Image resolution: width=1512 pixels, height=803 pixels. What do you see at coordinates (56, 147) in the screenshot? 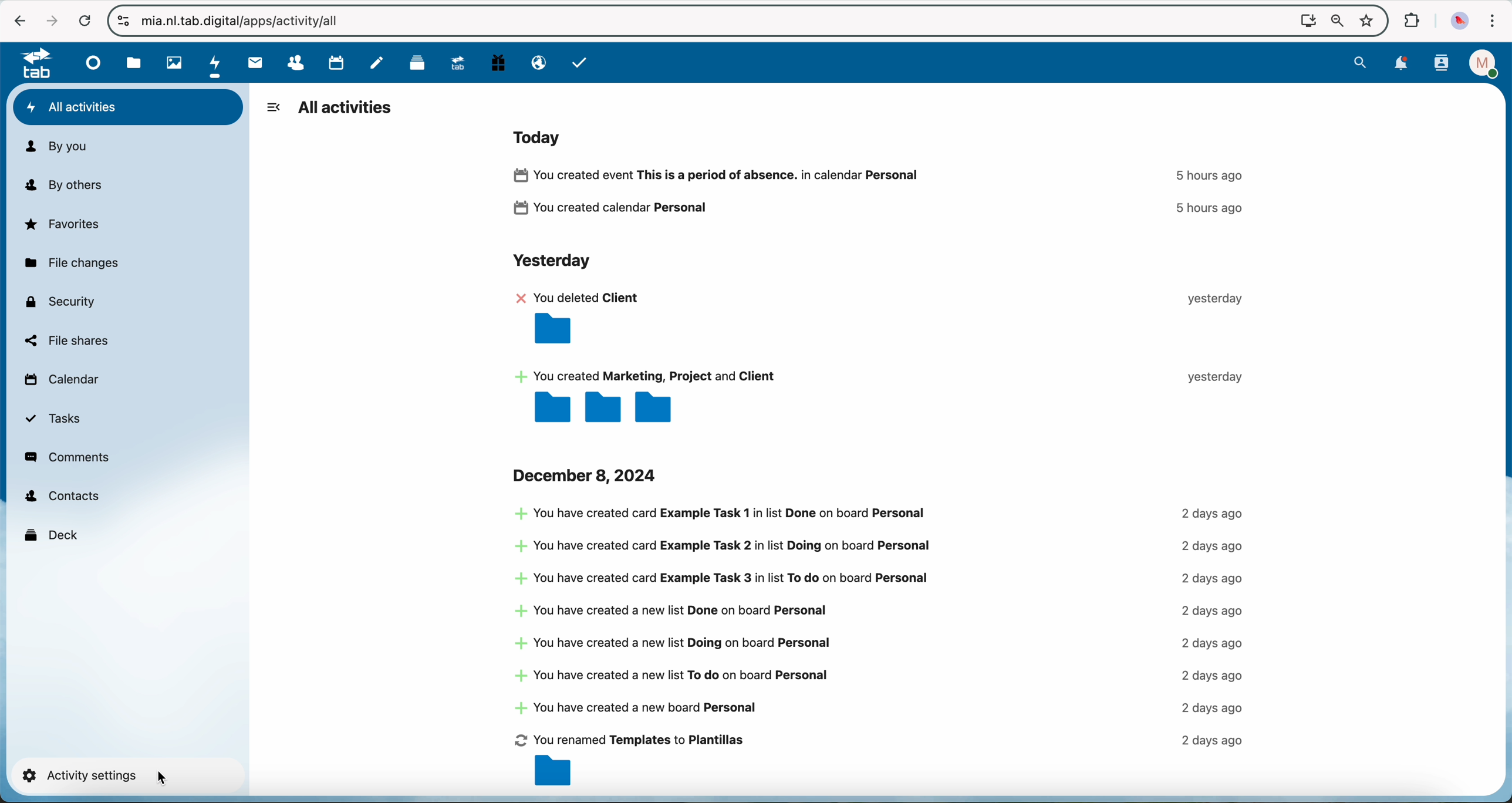
I see `by you` at bounding box center [56, 147].